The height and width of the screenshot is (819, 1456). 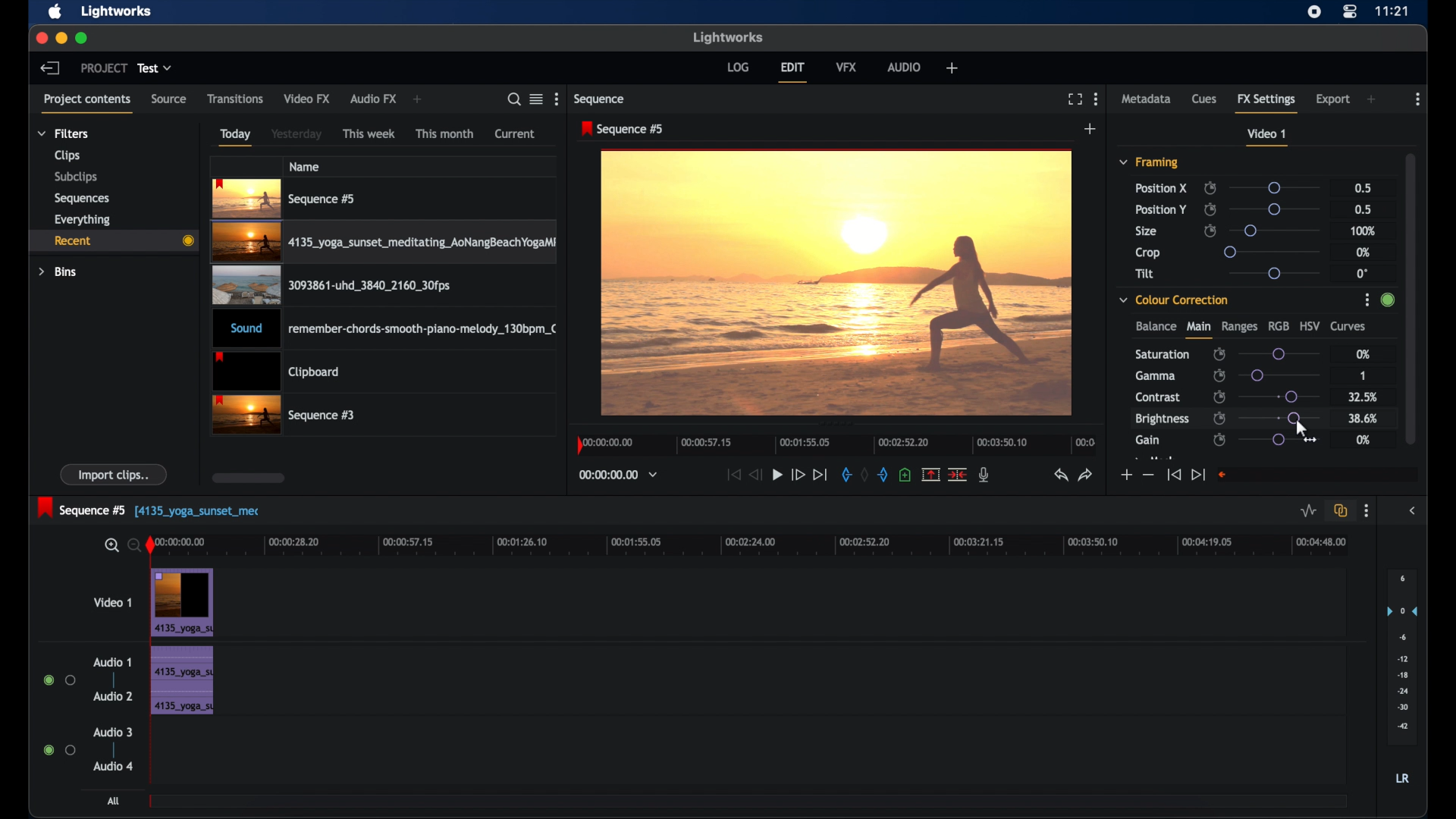 I want to click on slider, so click(x=1279, y=440).